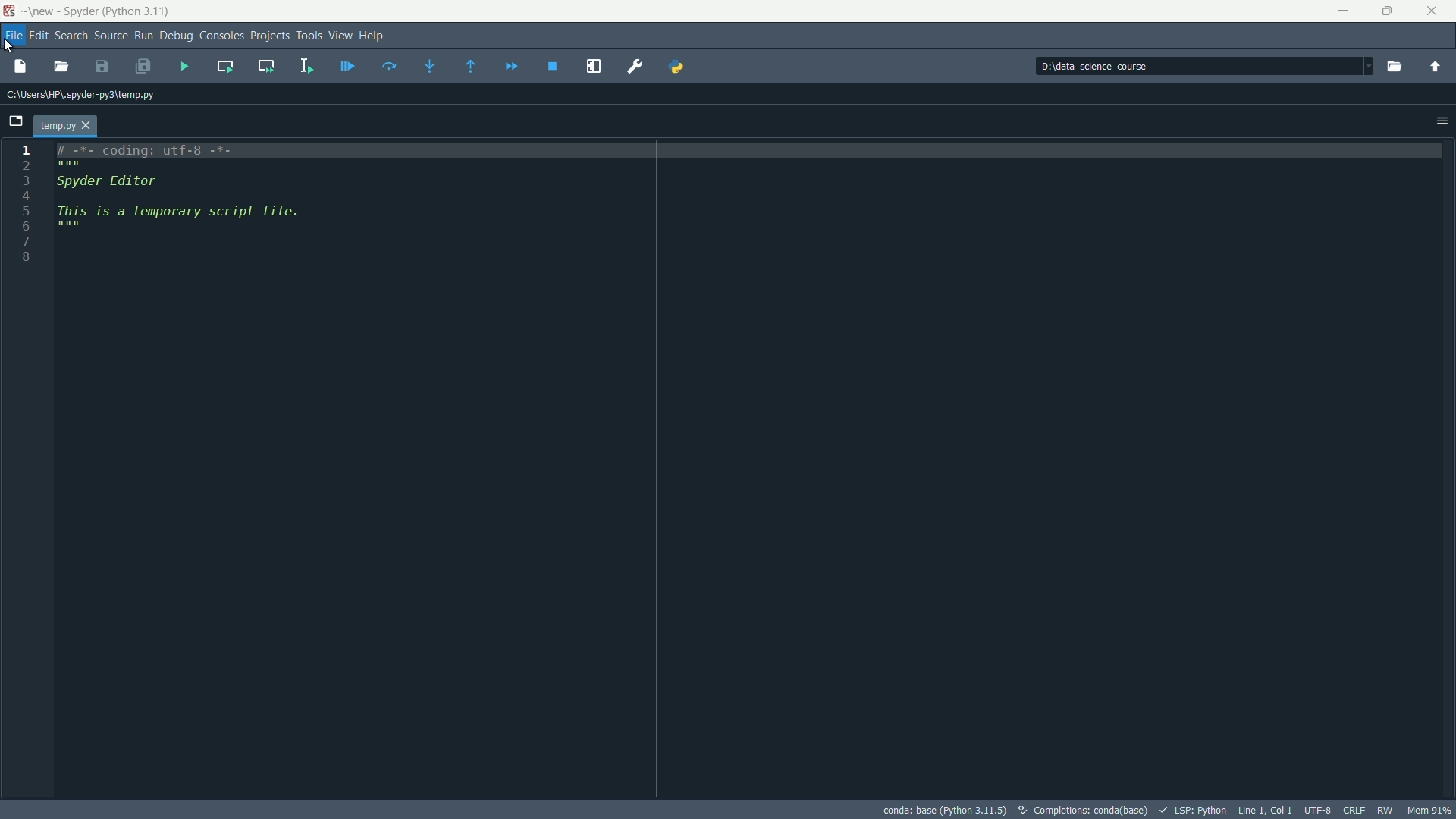 The image size is (1456, 819). I want to click on memory usage, so click(1430, 810).